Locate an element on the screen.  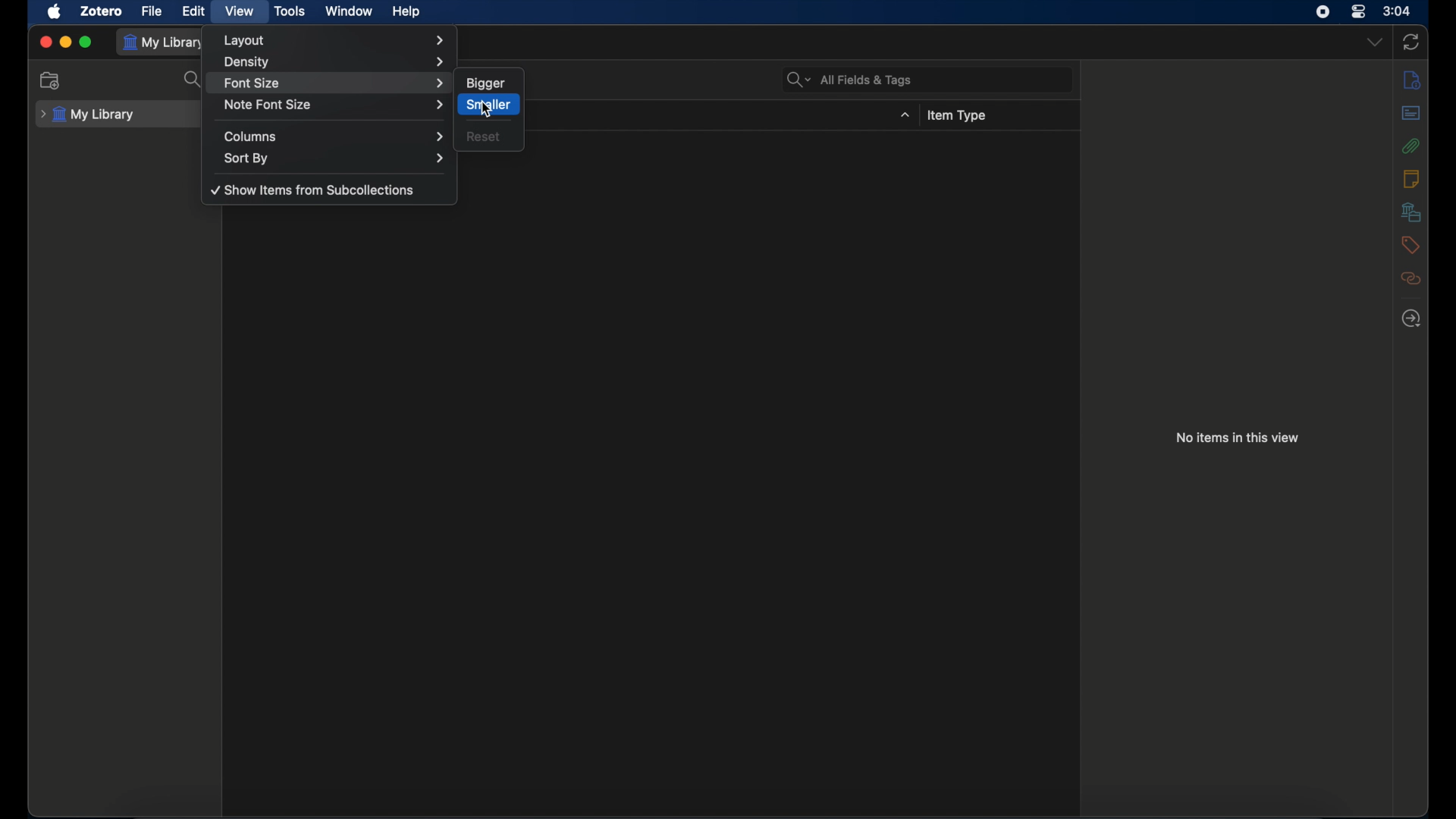
dropdown is located at coordinates (906, 115).